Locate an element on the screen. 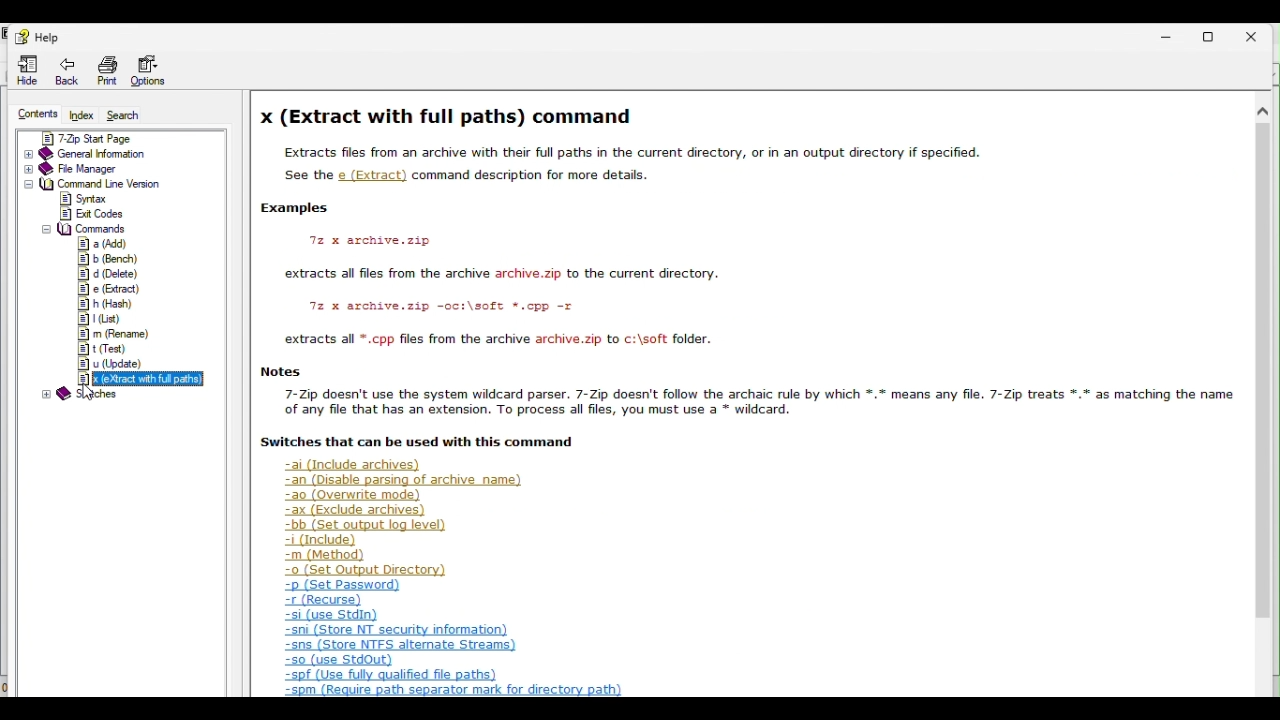 This screenshot has height=720, width=1280. d (Delete) is located at coordinates (108, 274).